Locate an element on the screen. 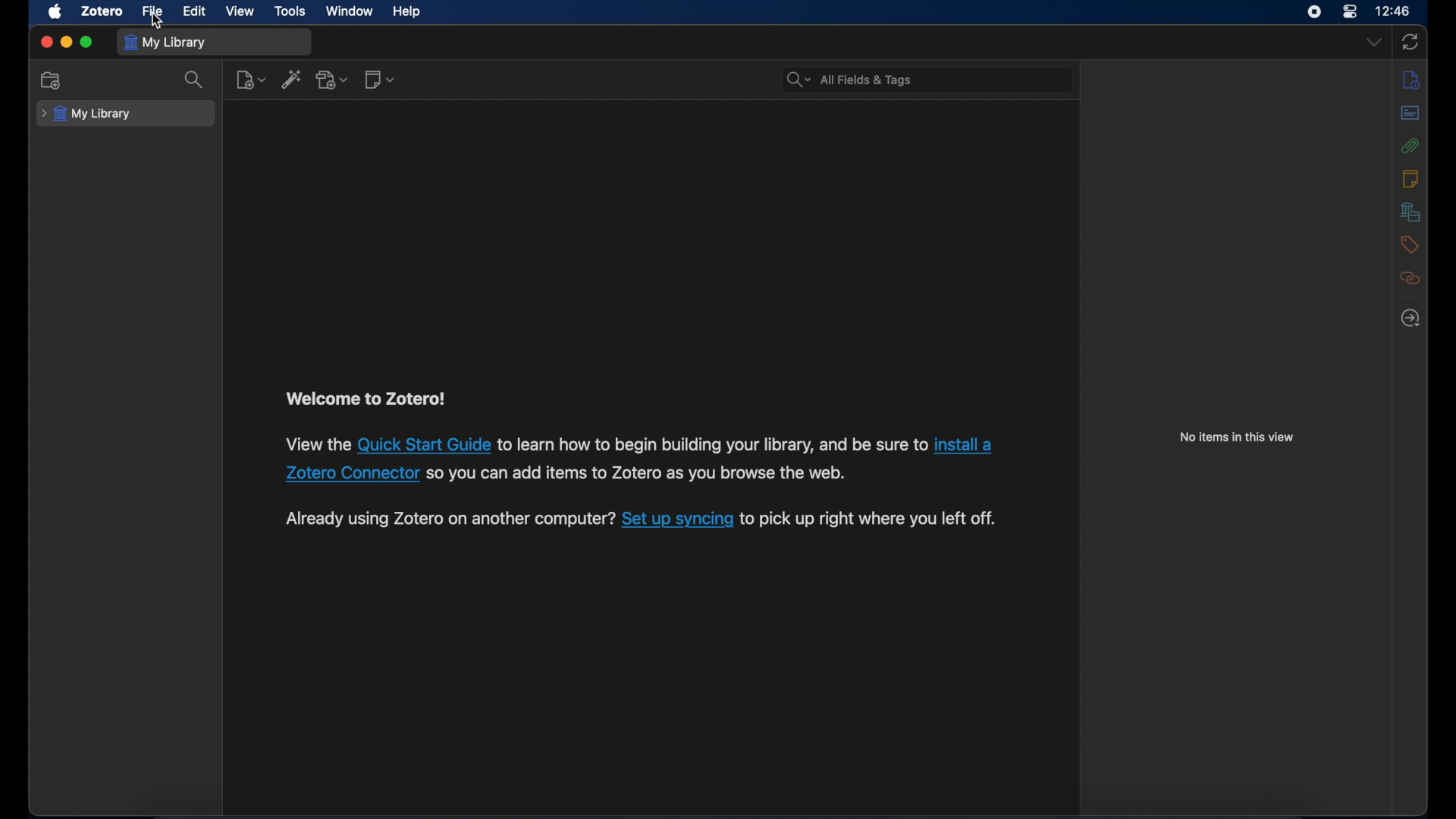 The width and height of the screenshot is (1456, 819). abstract is located at coordinates (1411, 114).